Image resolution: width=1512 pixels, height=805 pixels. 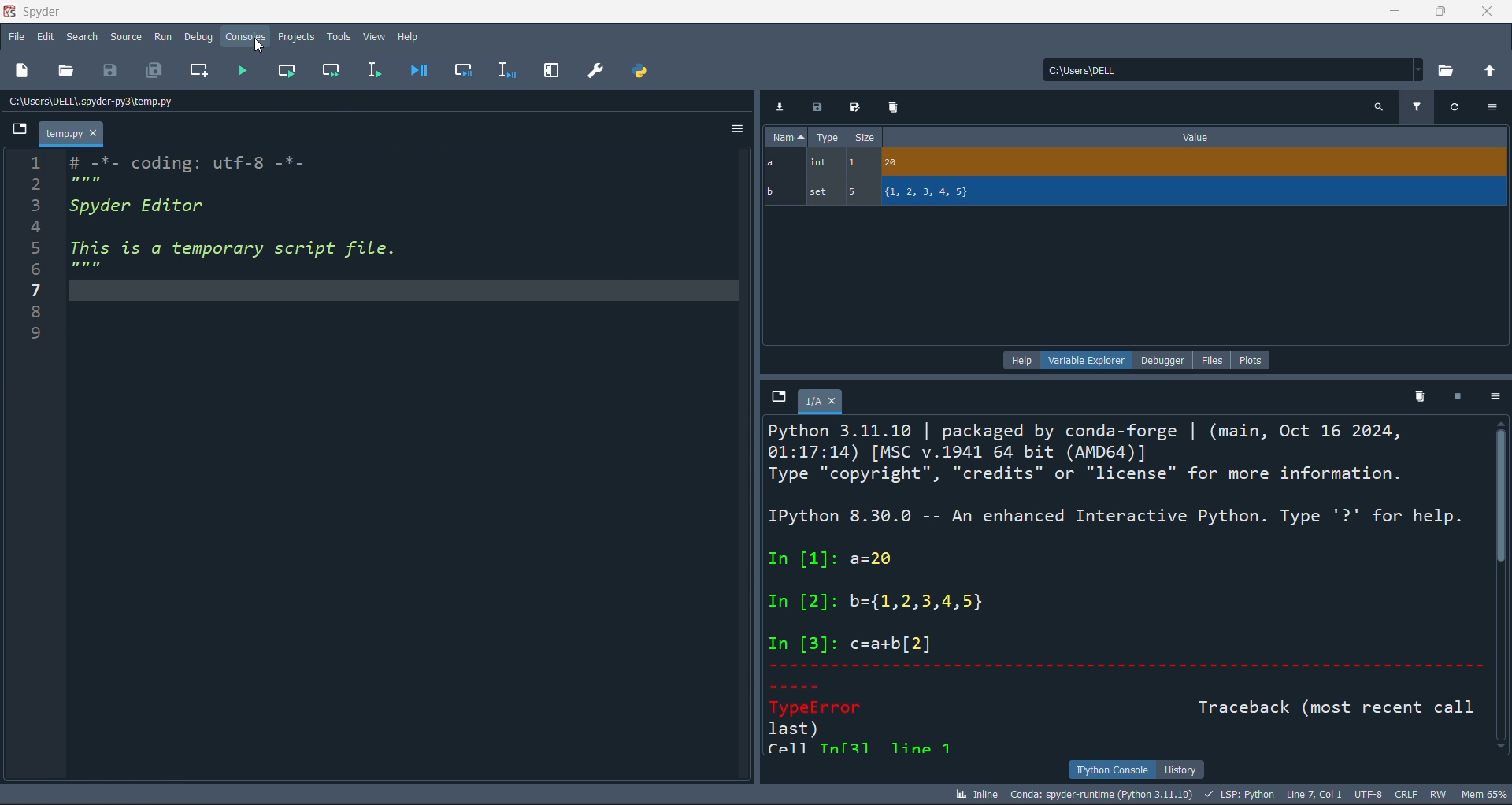 What do you see at coordinates (110, 72) in the screenshot?
I see `save` at bounding box center [110, 72].